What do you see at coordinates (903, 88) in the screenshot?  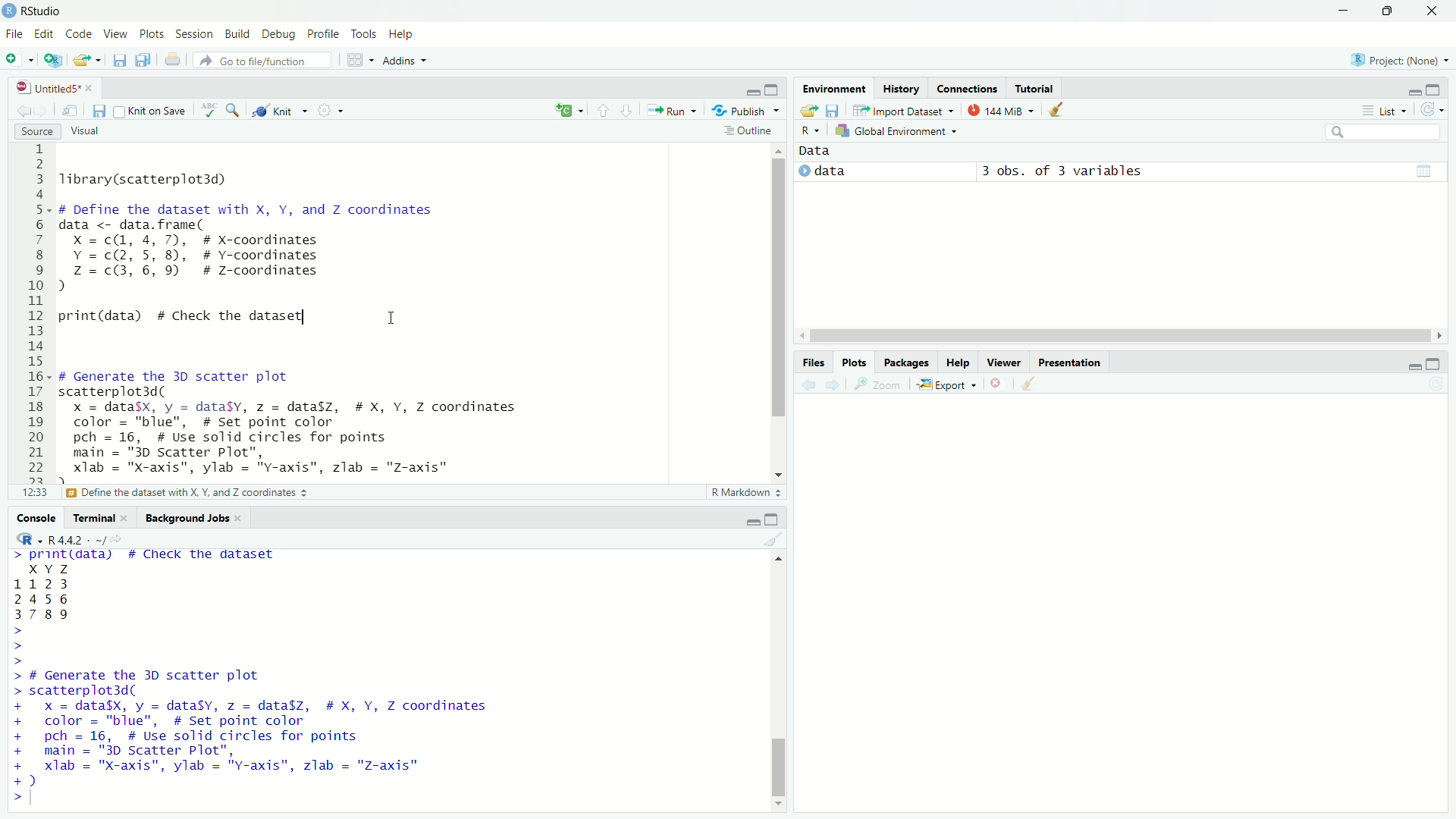 I see `history` at bounding box center [903, 88].